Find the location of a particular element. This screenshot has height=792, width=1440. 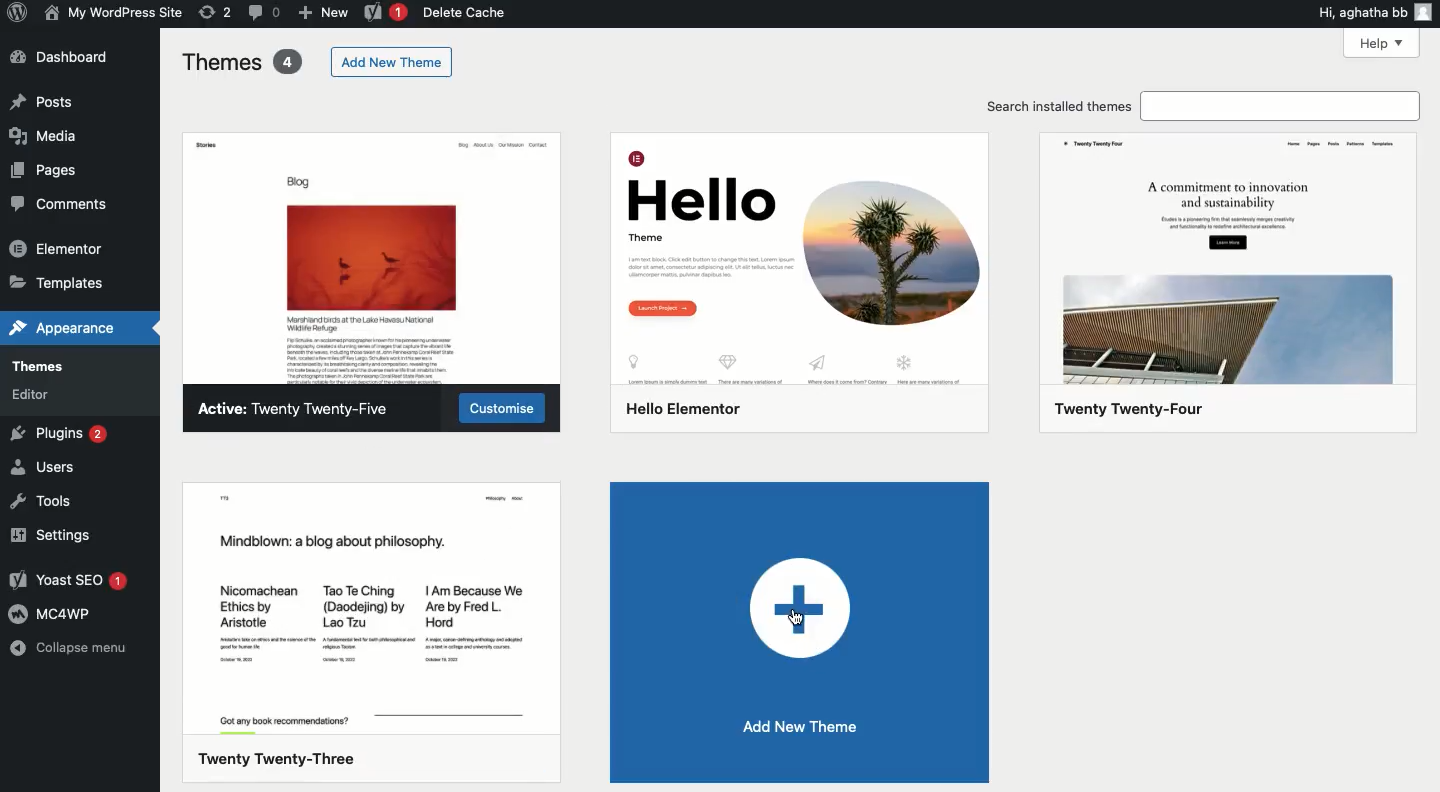

Add new theme is located at coordinates (800, 630).